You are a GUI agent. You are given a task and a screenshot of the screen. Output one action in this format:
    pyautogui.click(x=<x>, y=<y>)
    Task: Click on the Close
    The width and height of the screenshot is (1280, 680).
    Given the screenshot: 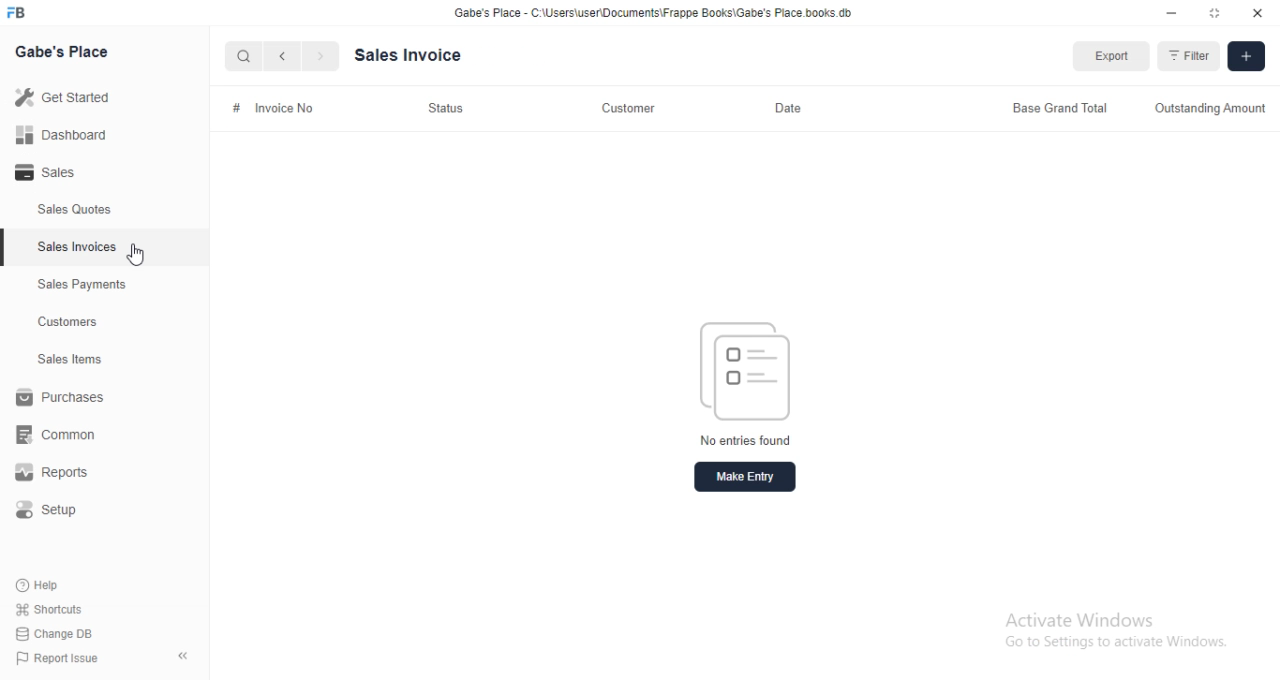 What is the action you would take?
    pyautogui.click(x=1257, y=14)
    